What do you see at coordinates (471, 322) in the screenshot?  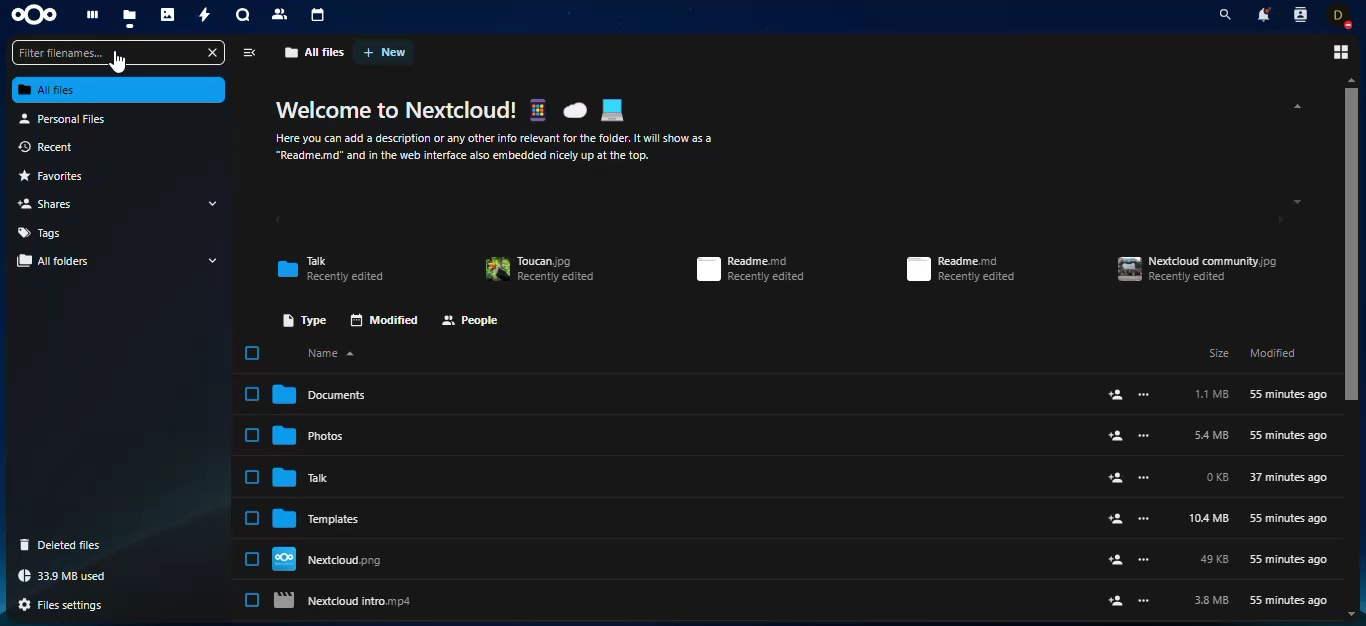 I see `people` at bounding box center [471, 322].